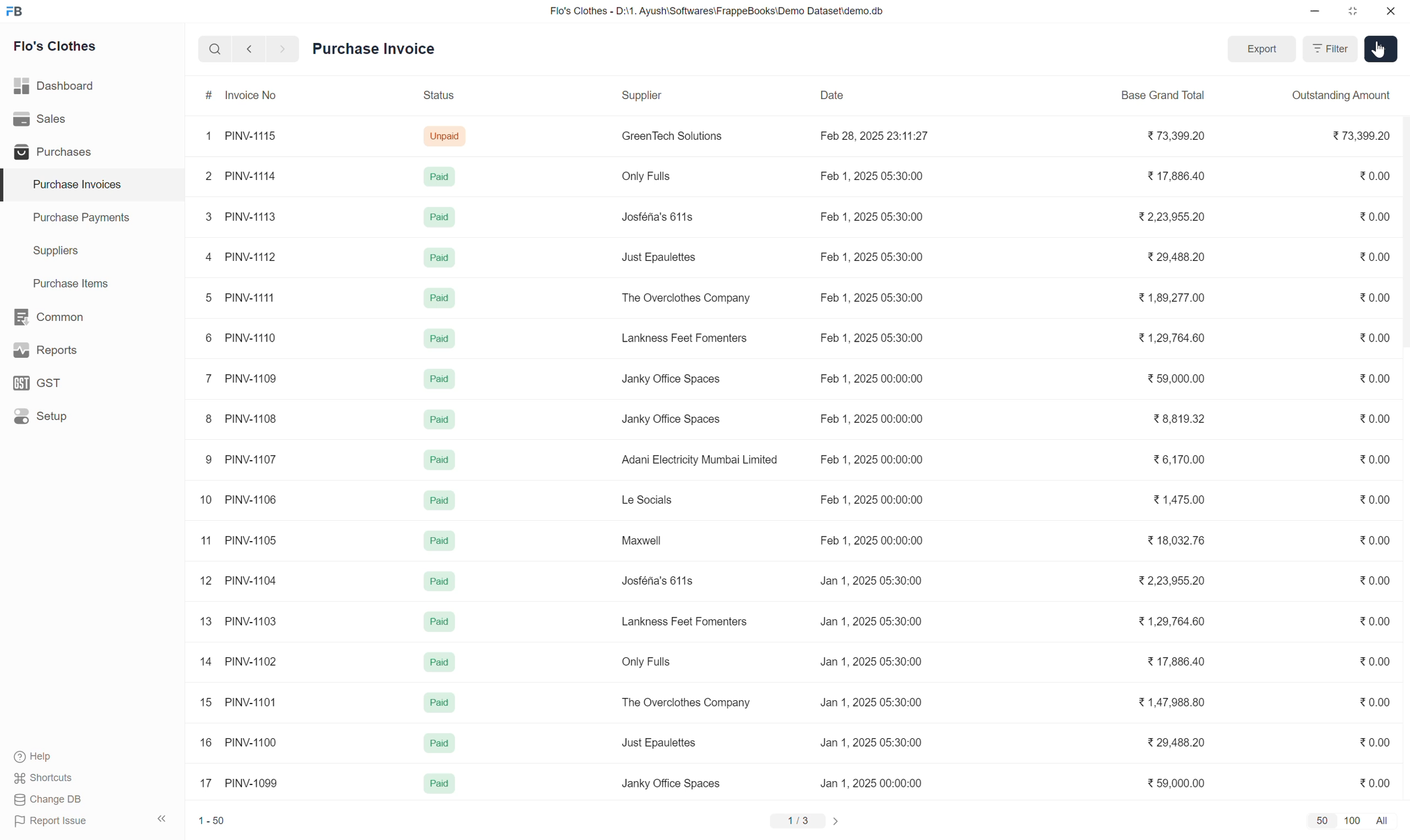  Describe the element at coordinates (878, 461) in the screenshot. I see `Feb 1, 2025 00:00:00` at that location.